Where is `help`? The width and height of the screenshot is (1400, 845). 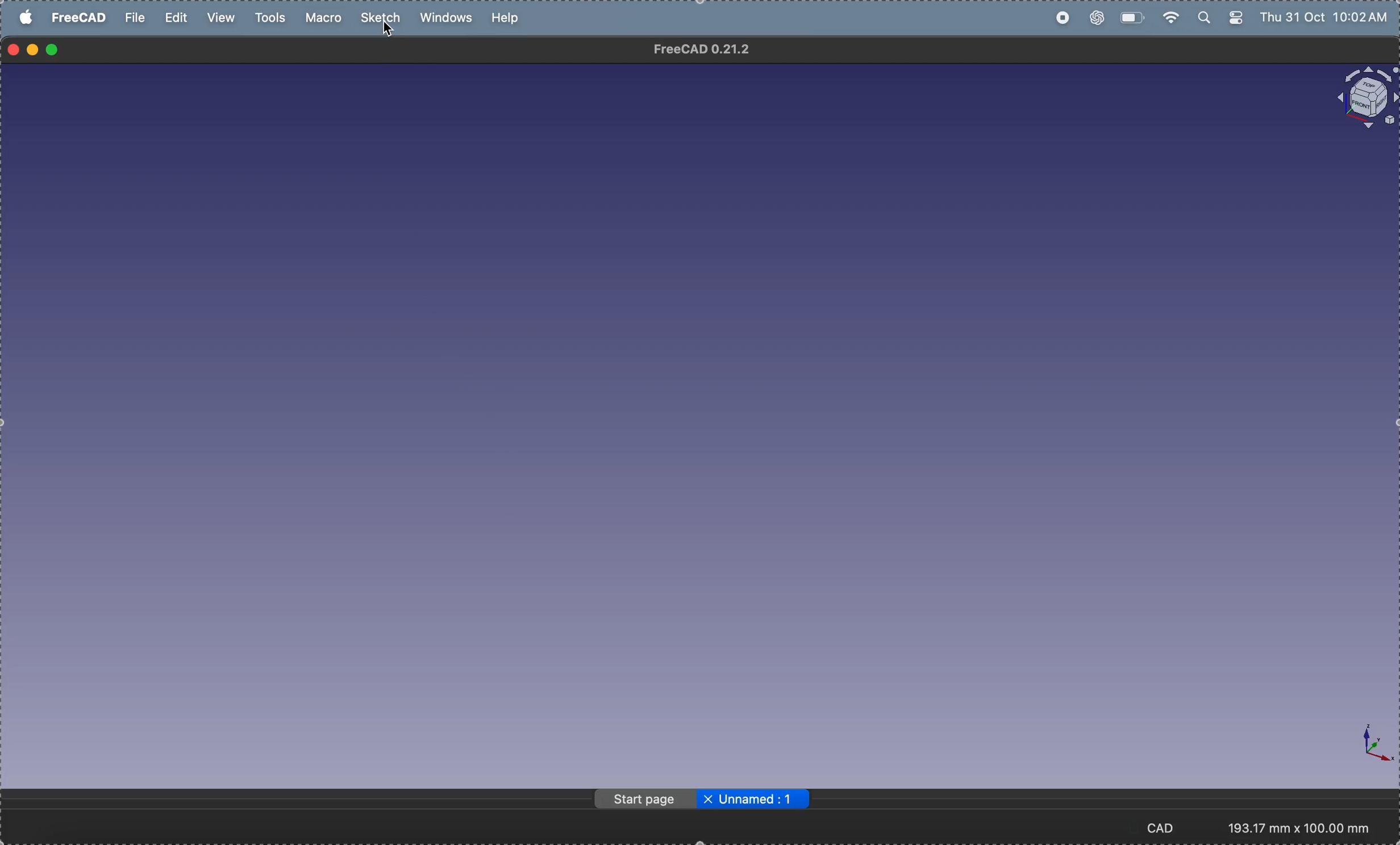
help is located at coordinates (507, 17).